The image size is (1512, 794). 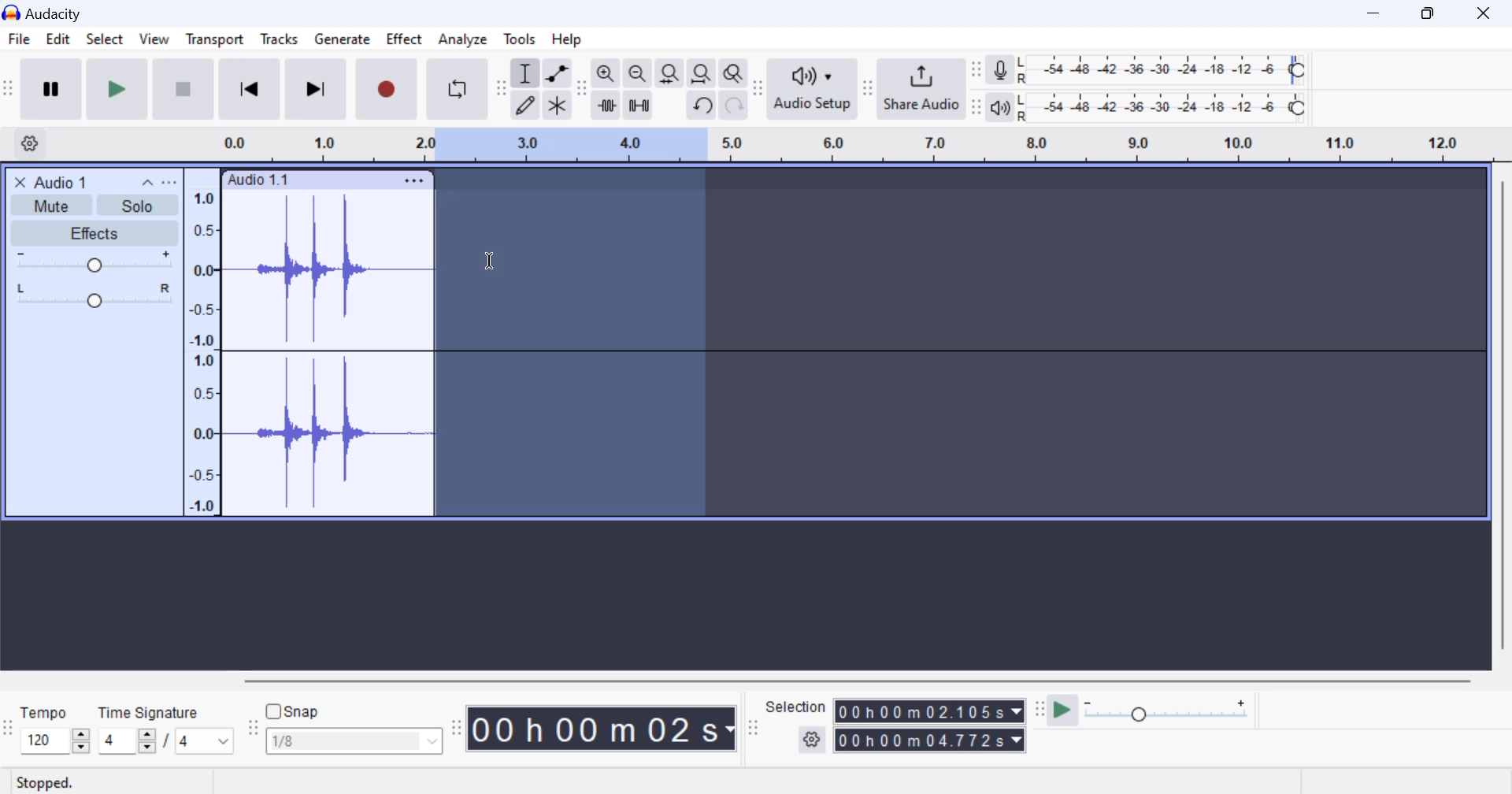 I want to click on Effect, so click(x=405, y=42).